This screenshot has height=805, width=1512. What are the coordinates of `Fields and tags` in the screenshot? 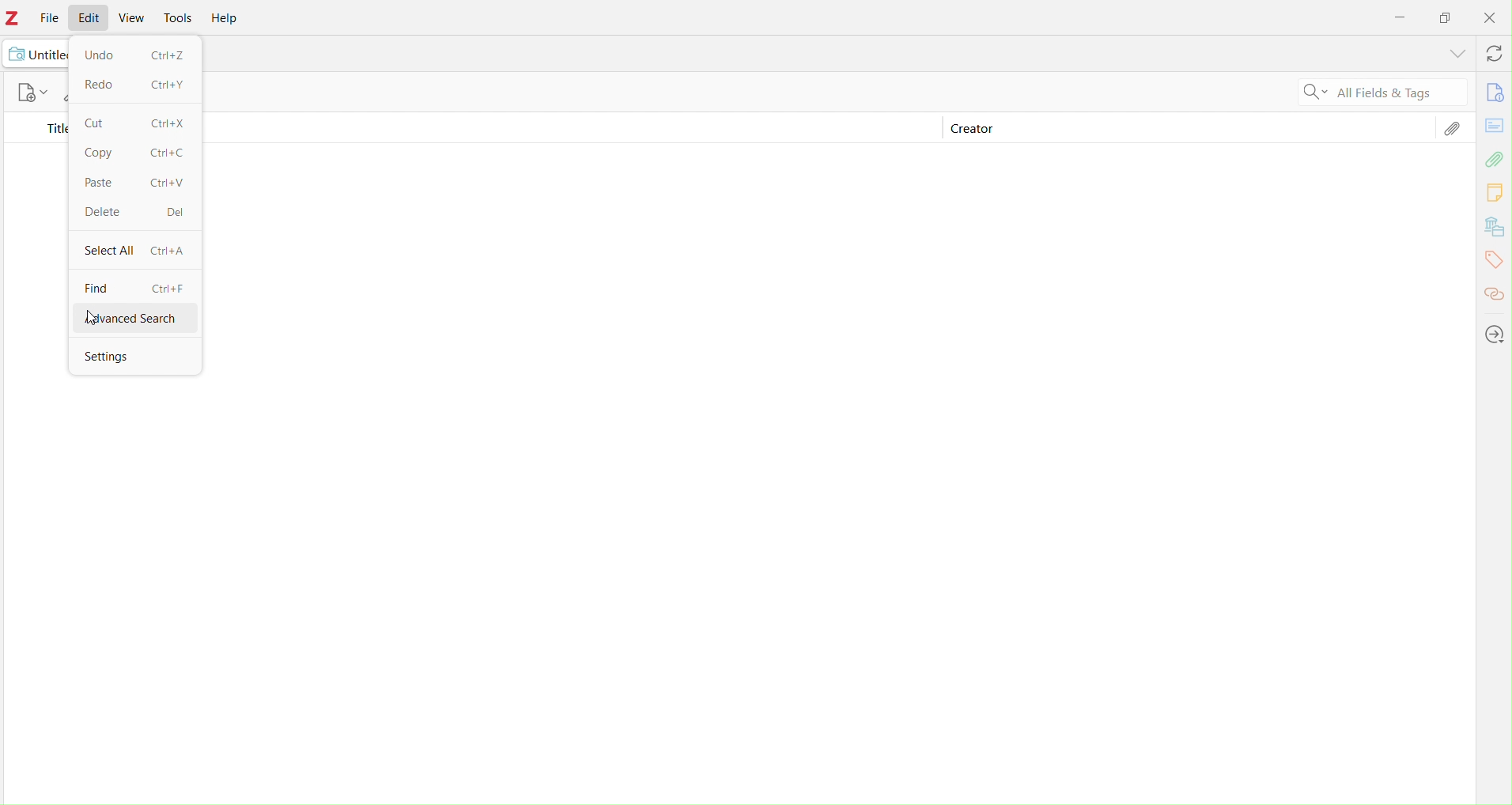 It's located at (1397, 94).